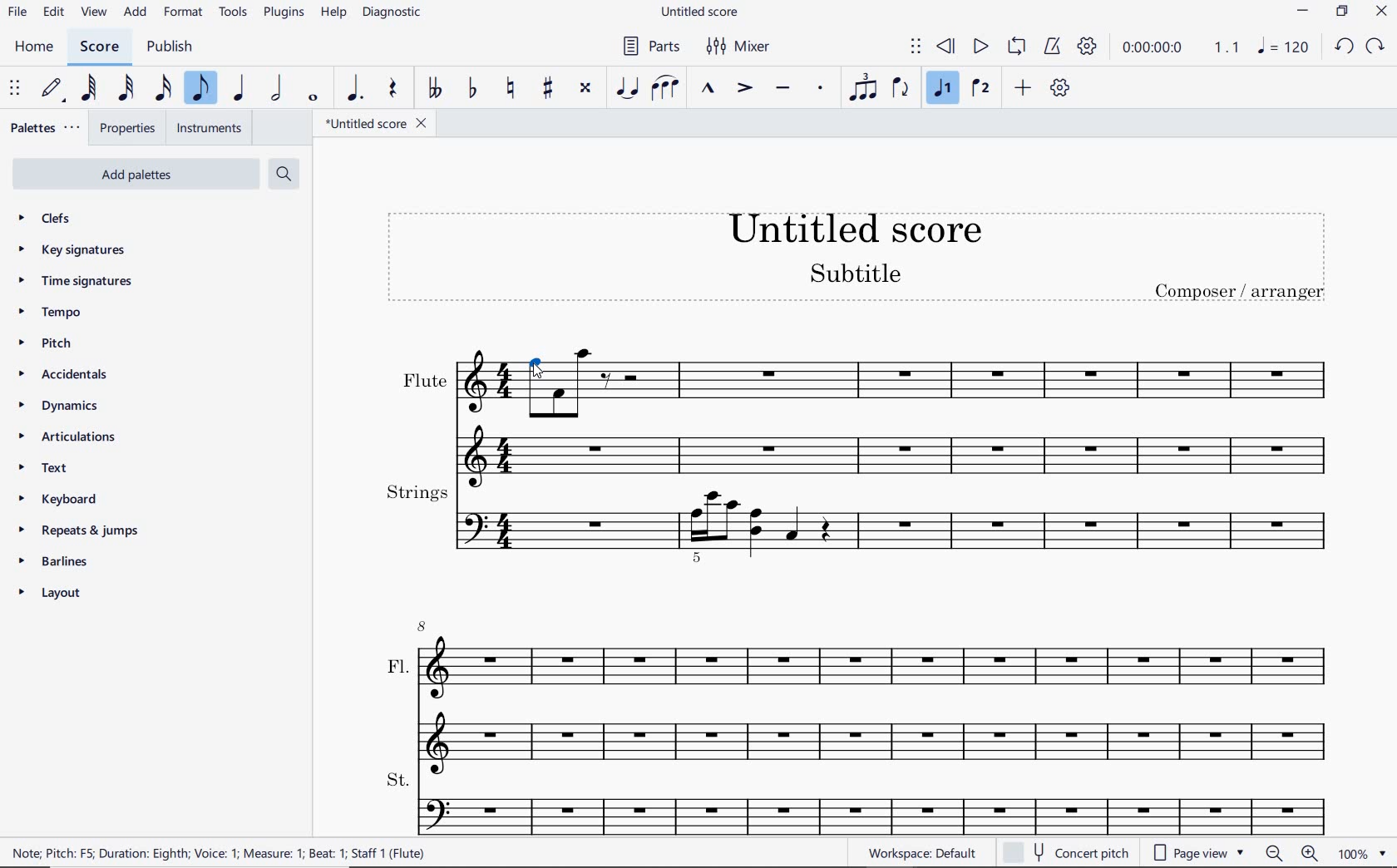 This screenshot has height=868, width=1397. Describe the element at coordinates (1384, 13) in the screenshot. I see `close` at that location.